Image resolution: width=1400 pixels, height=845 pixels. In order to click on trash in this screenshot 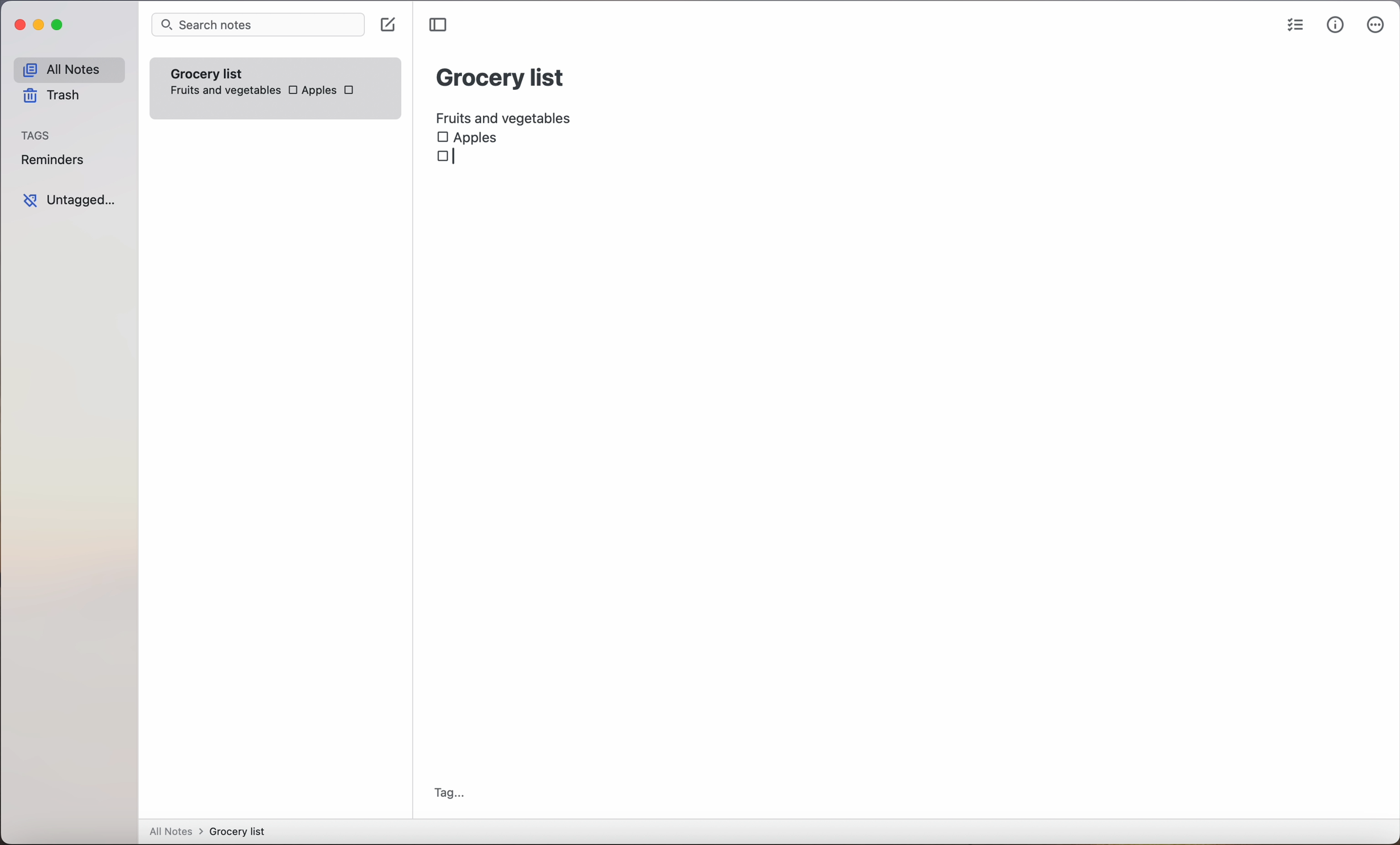, I will do `click(50, 98)`.